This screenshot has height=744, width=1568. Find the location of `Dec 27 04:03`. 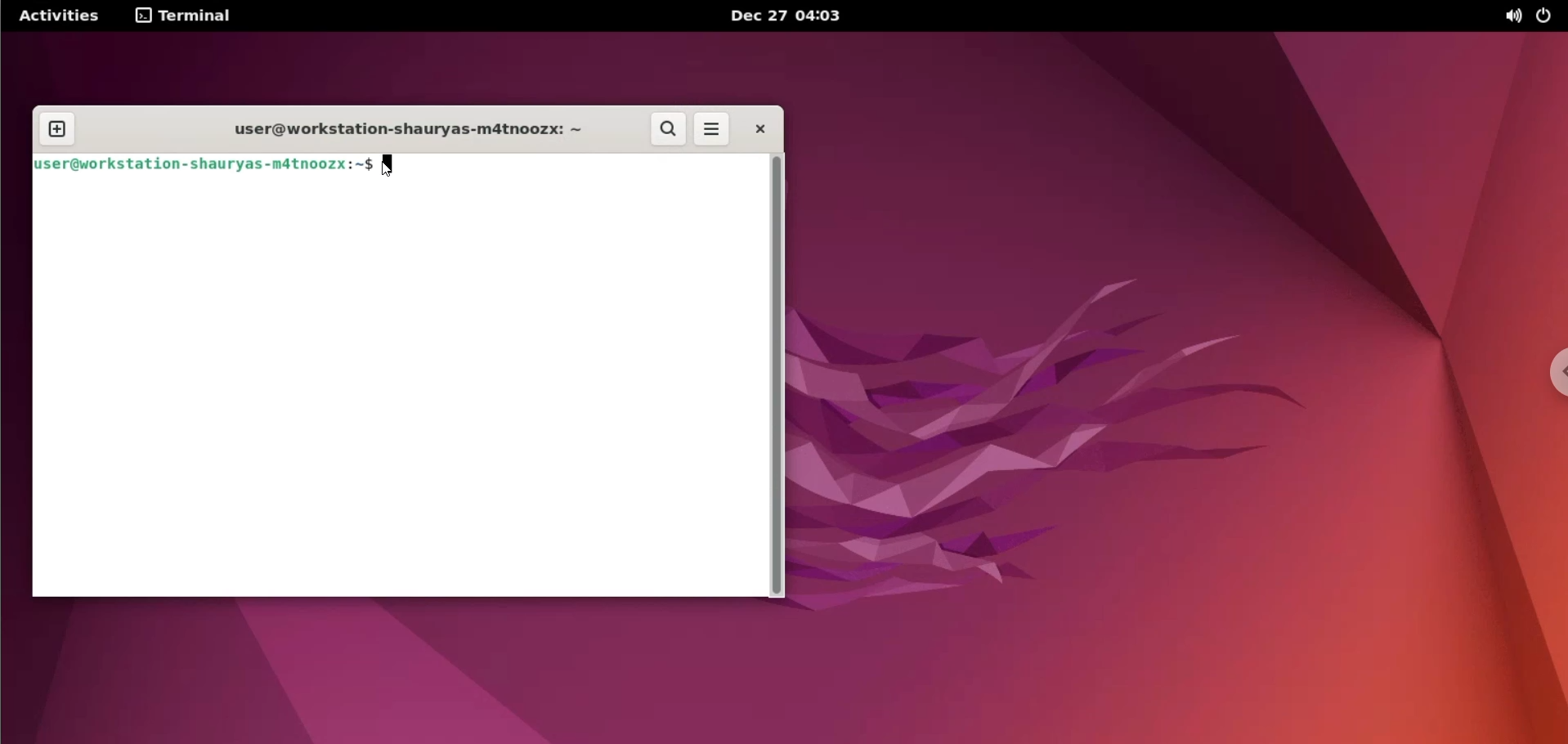

Dec 27 04:03 is located at coordinates (791, 16).